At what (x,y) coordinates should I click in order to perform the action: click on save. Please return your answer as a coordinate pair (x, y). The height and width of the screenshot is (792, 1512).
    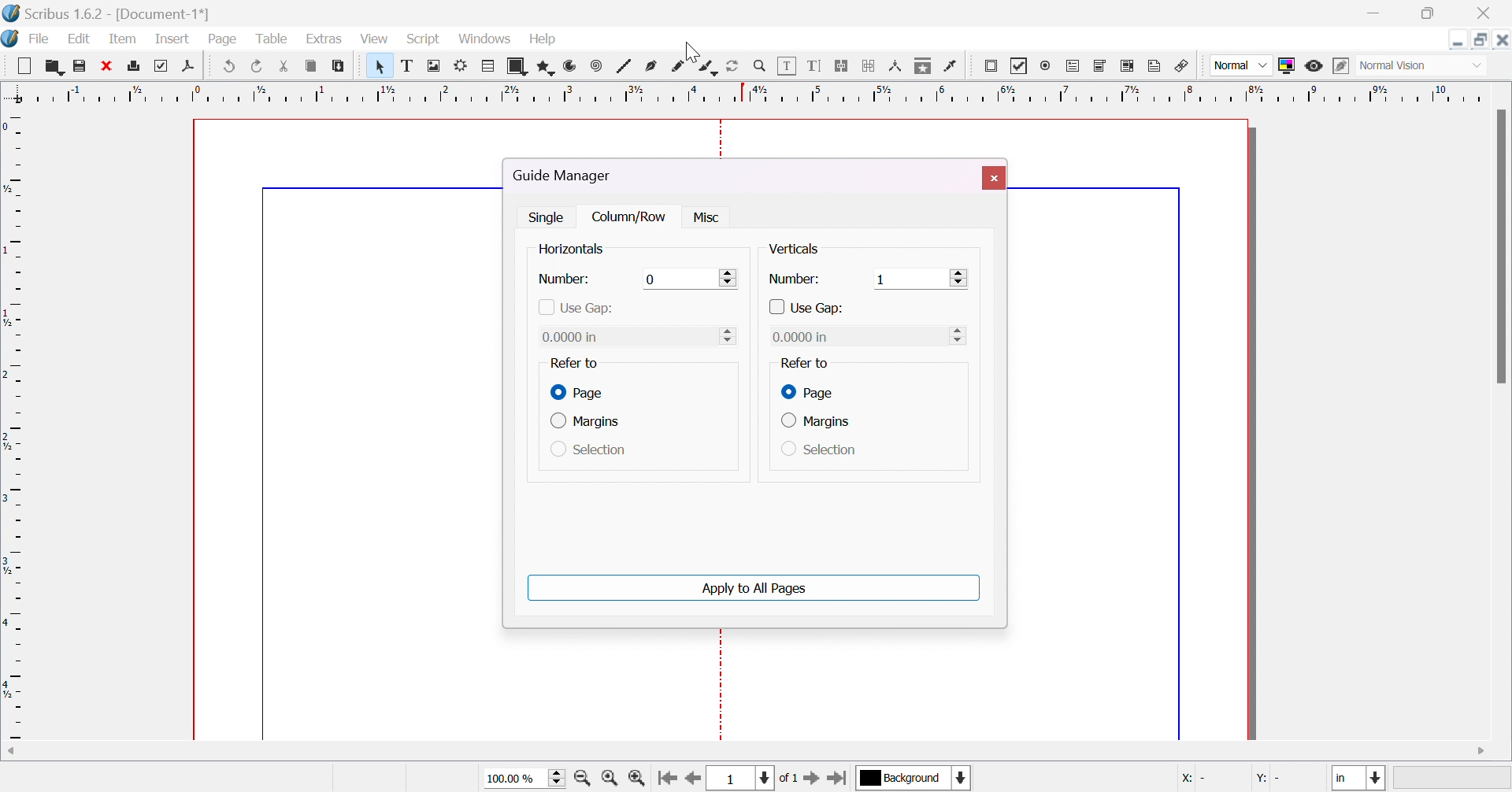
    Looking at the image, I should click on (78, 67).